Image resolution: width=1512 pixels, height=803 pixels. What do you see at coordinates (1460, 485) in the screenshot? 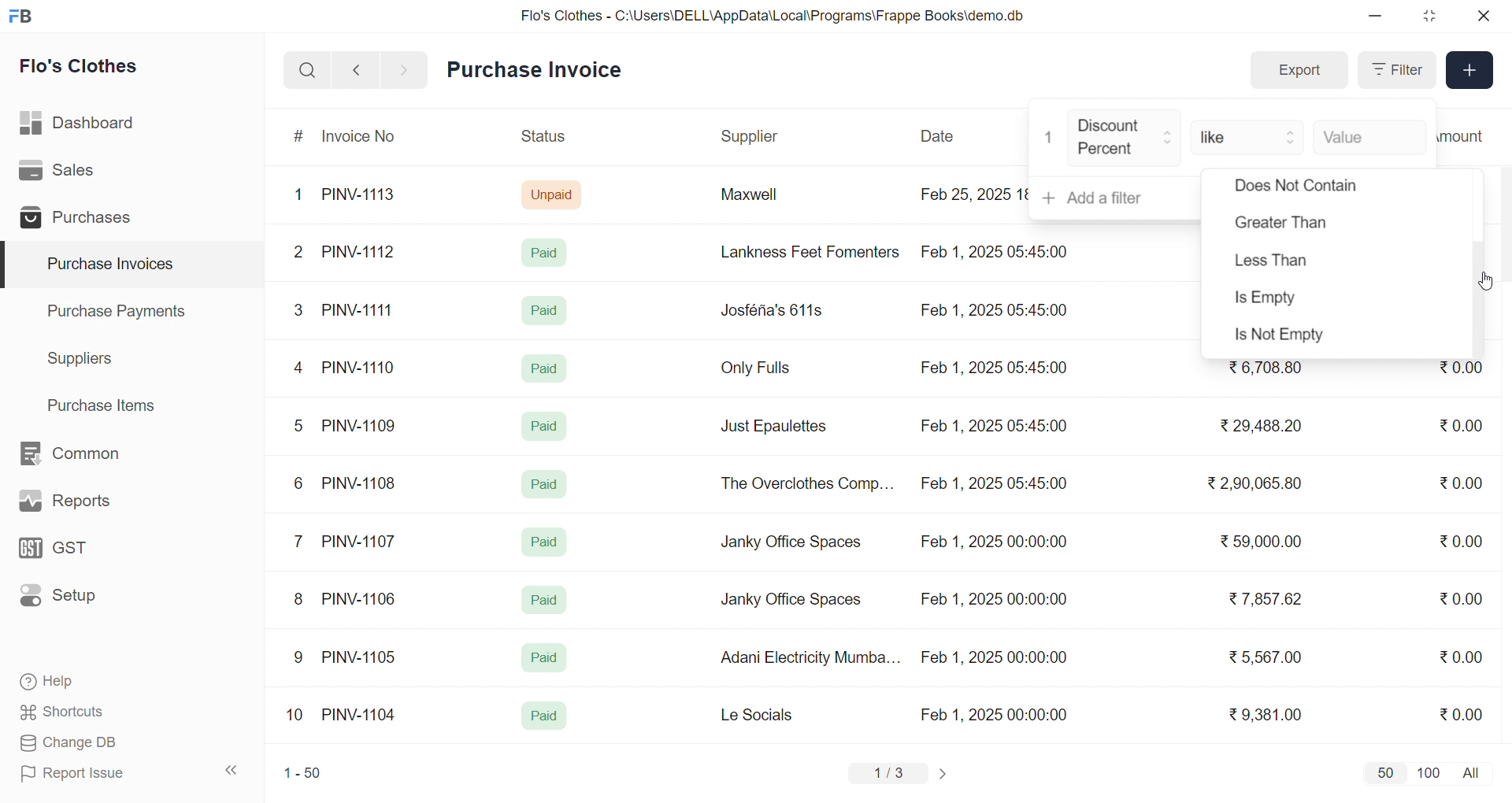
I see `₹0.00` at bounding box center [1460, 485].